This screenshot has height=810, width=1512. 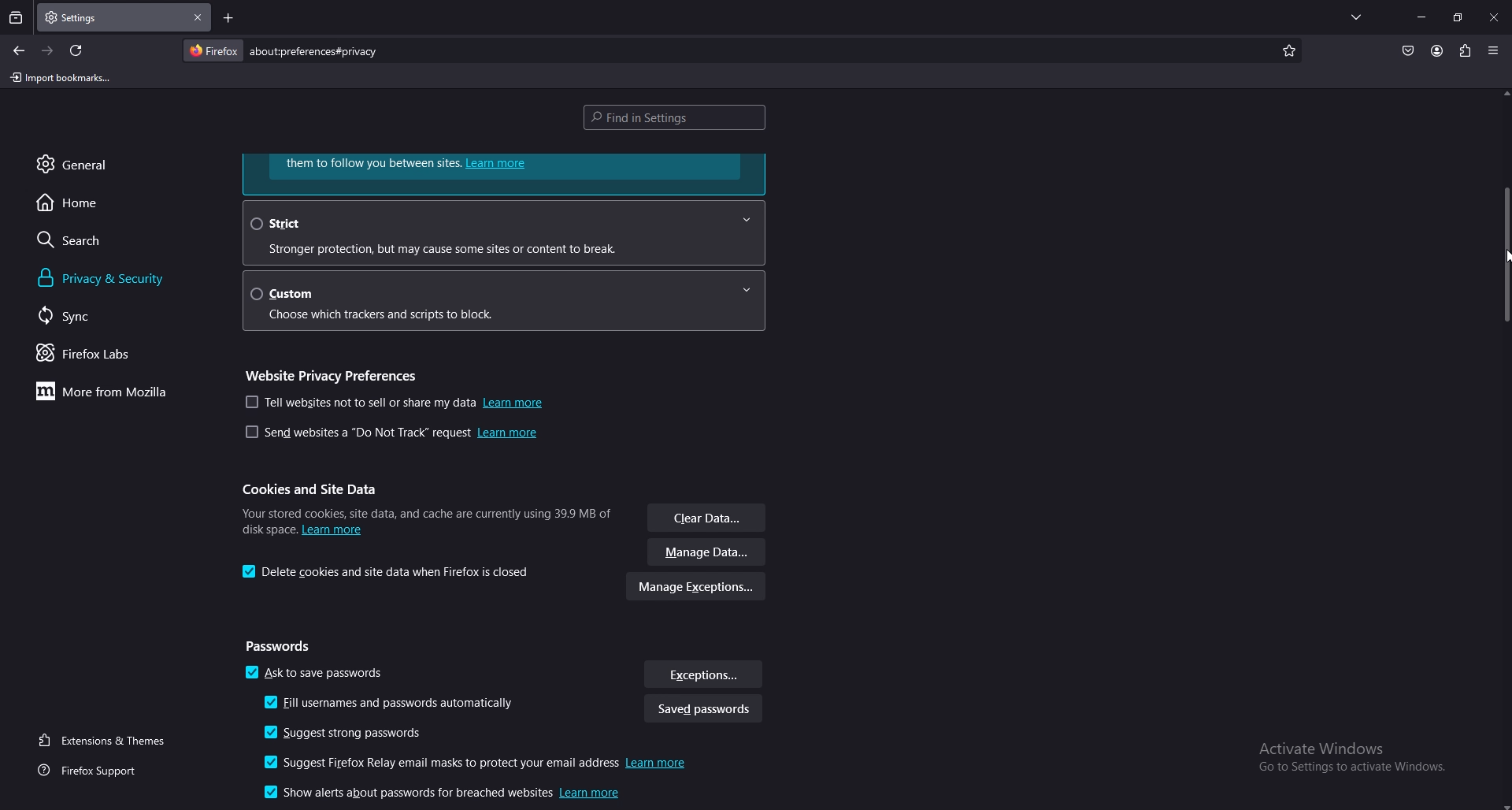 I want to click on privacy and security, so click(x=128, y=278).